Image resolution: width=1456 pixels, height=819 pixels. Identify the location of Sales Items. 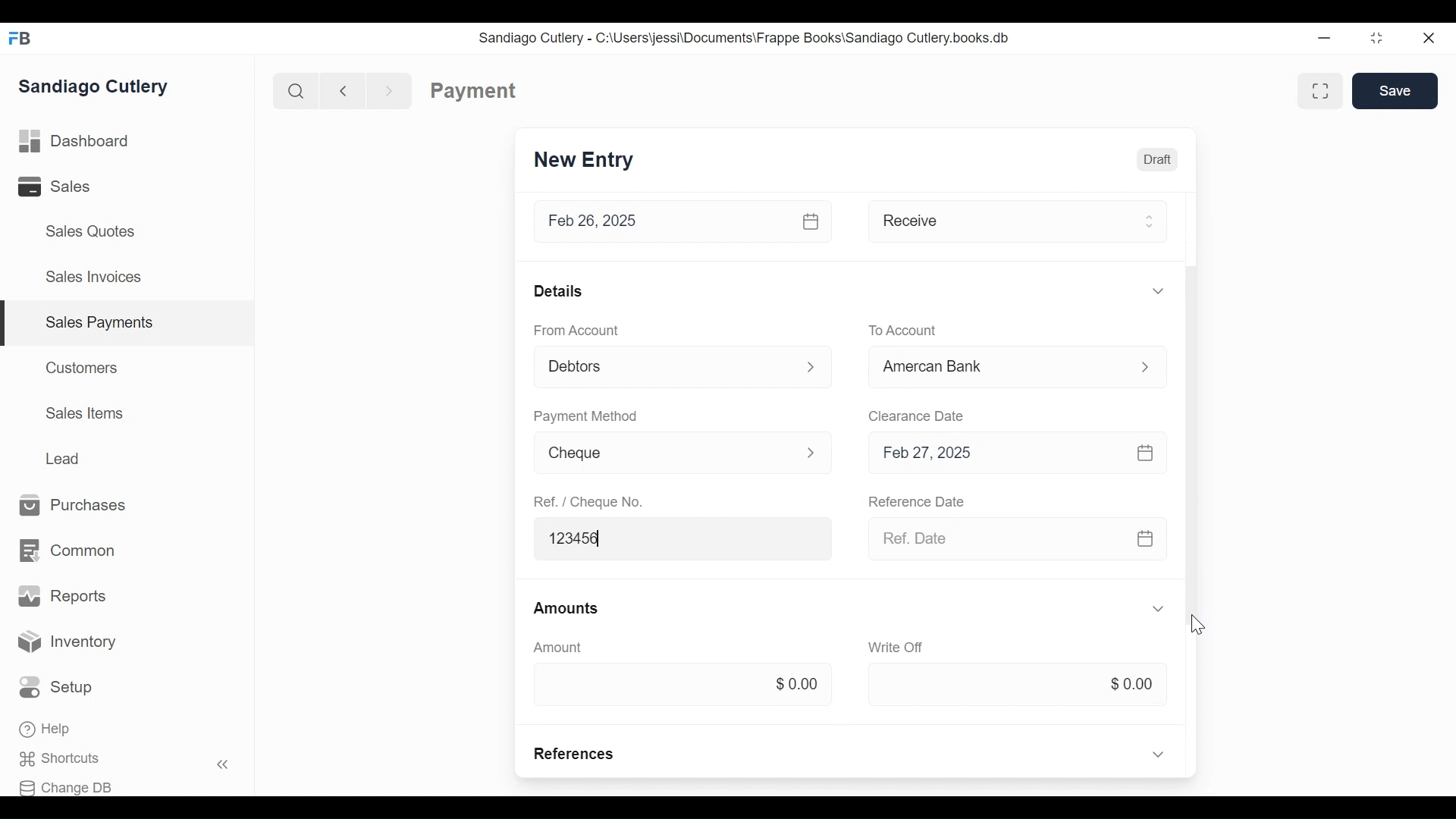
(85, 413).